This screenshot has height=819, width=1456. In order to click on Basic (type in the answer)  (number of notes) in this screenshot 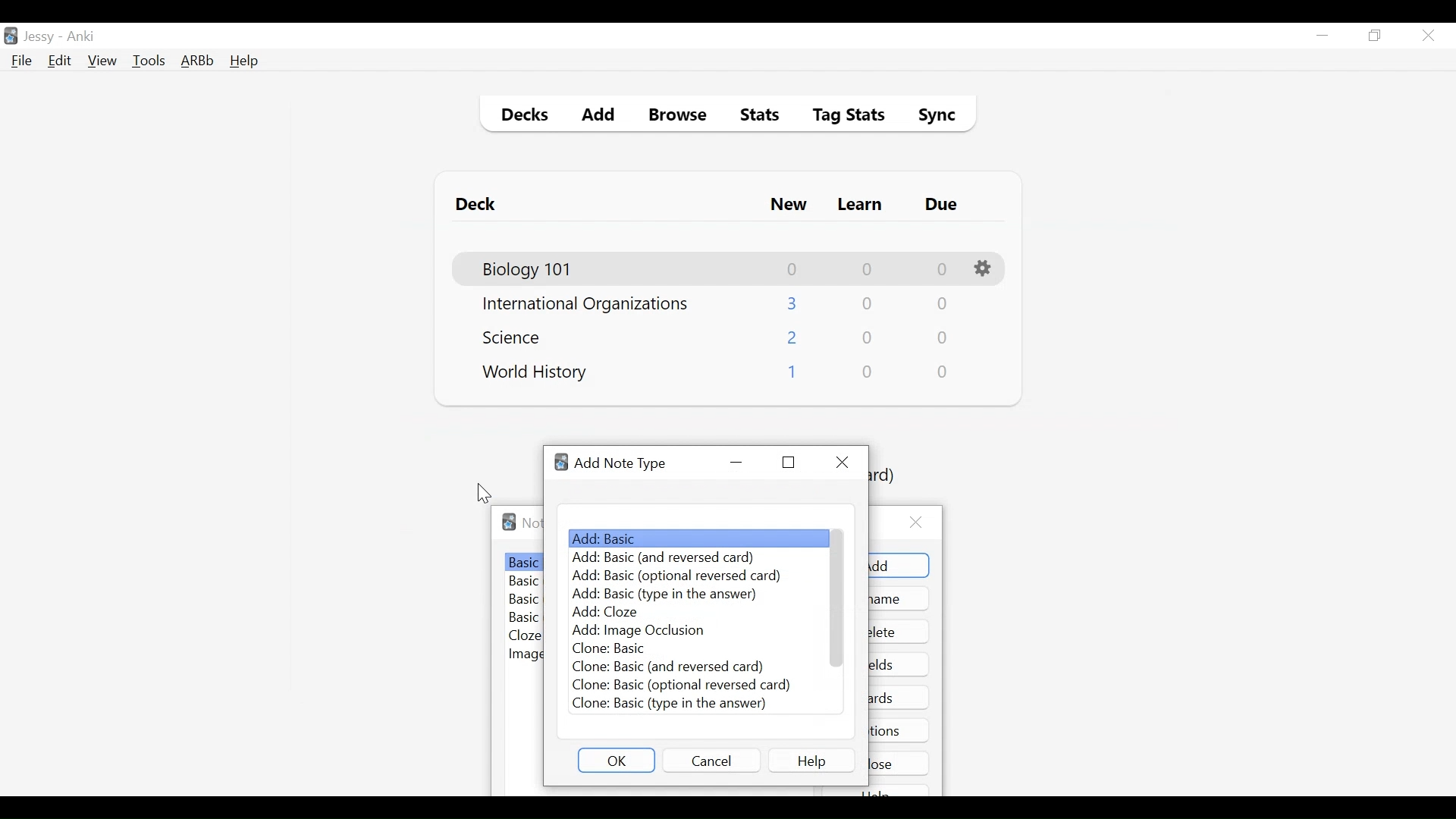, I will do `click(525, 619)`.